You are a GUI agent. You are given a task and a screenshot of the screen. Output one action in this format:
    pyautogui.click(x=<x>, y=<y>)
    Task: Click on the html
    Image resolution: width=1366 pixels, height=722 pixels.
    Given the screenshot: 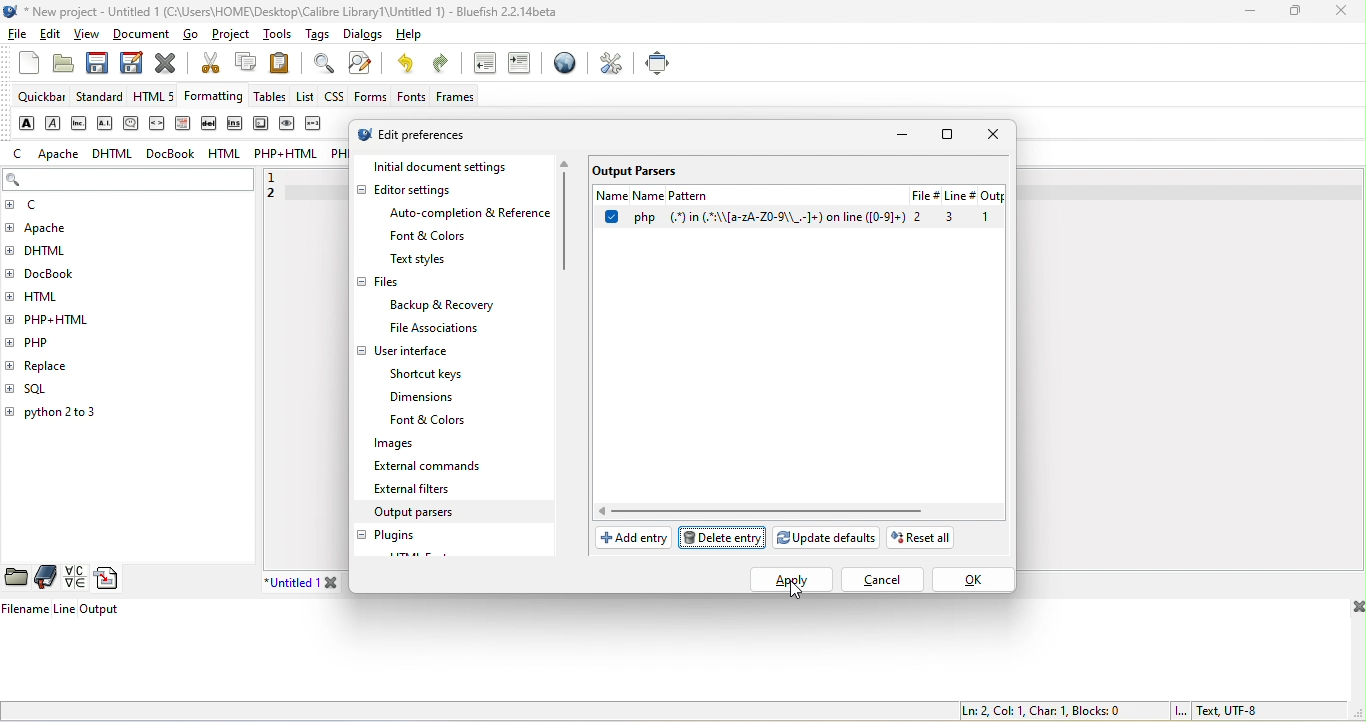 What is the action you would take?
    pyautogui.click(x=222, y=153)
    